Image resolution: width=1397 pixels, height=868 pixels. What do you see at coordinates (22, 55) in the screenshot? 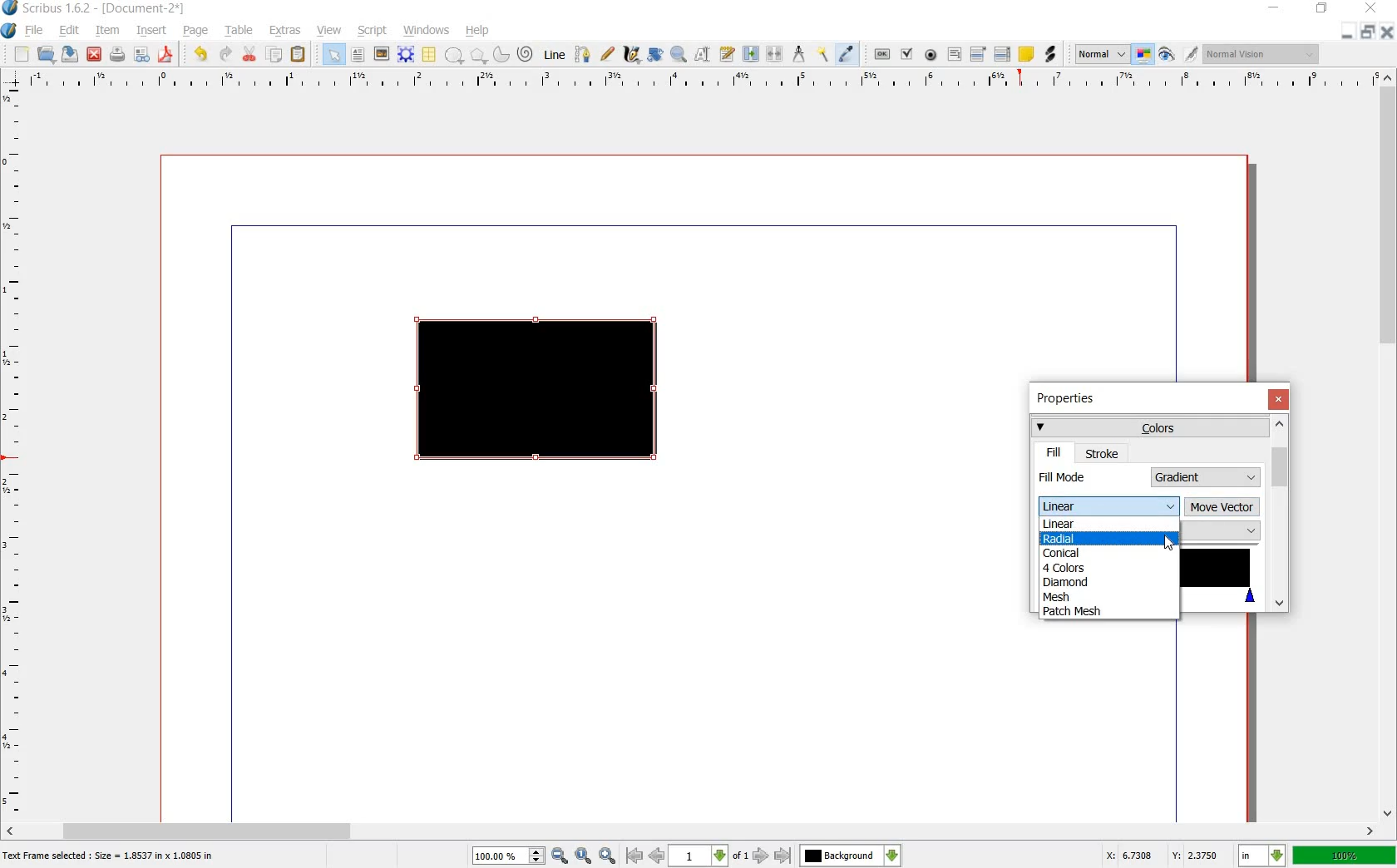
I see `new` at bounding box center [22, 55].